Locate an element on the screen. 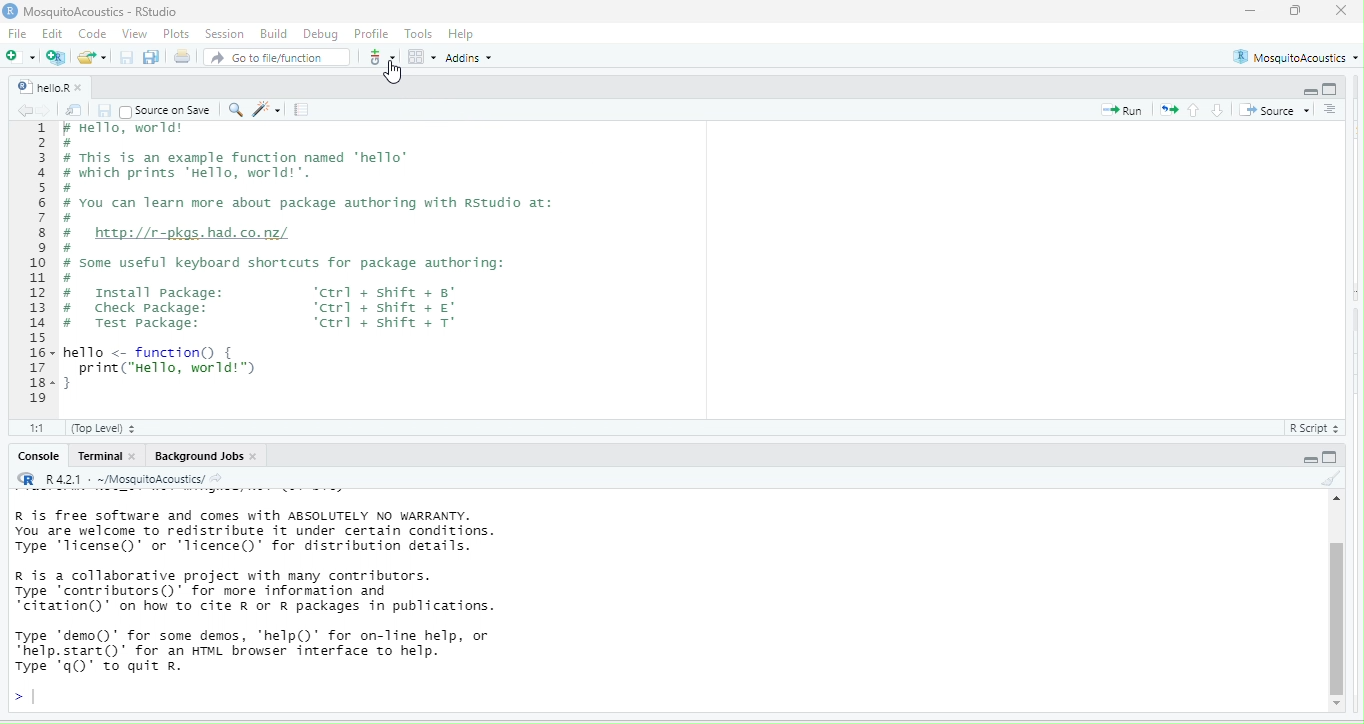  source is located at coordinates (1274, 110).